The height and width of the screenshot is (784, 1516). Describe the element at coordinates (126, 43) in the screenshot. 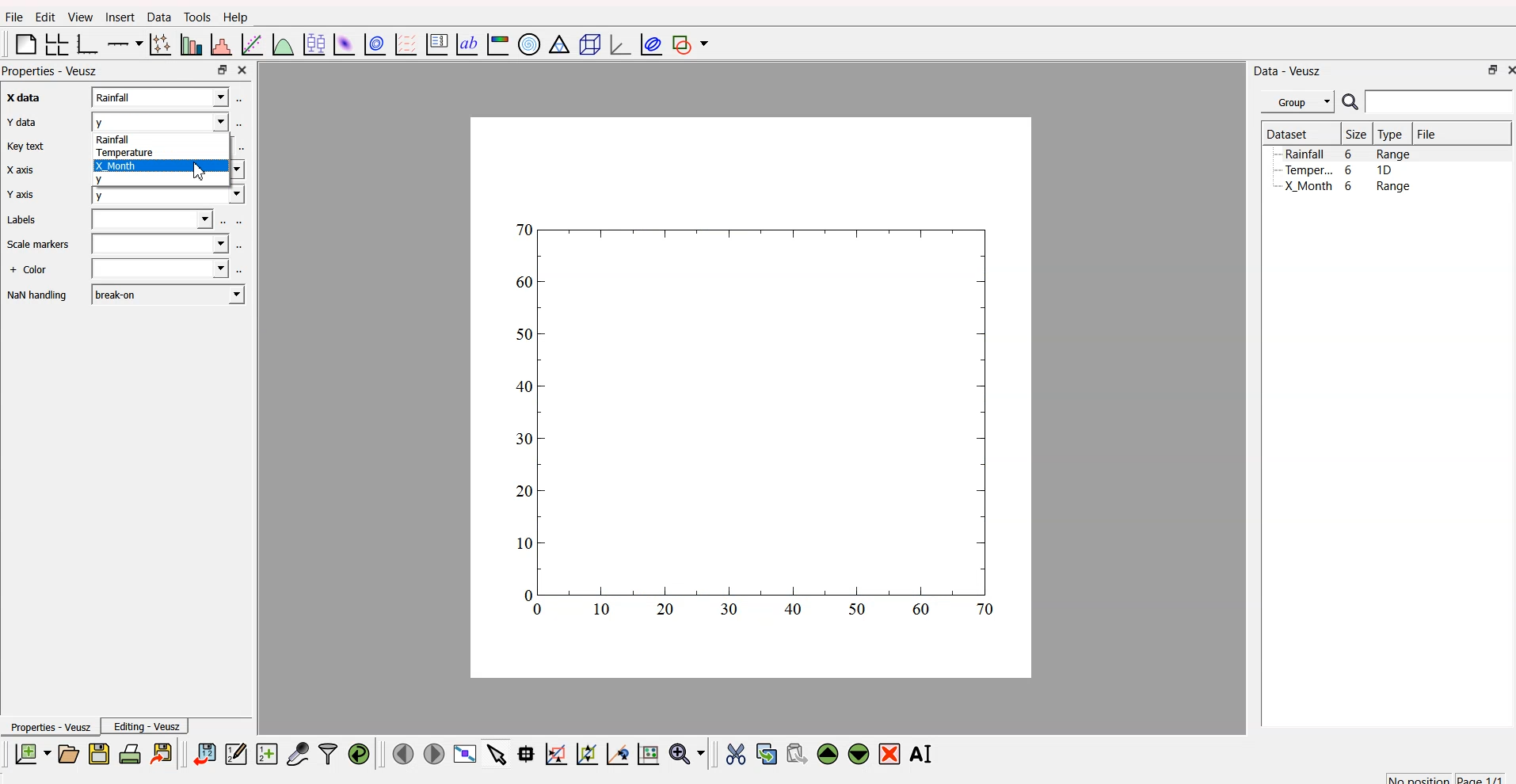

I see `plot on axis` at that location.